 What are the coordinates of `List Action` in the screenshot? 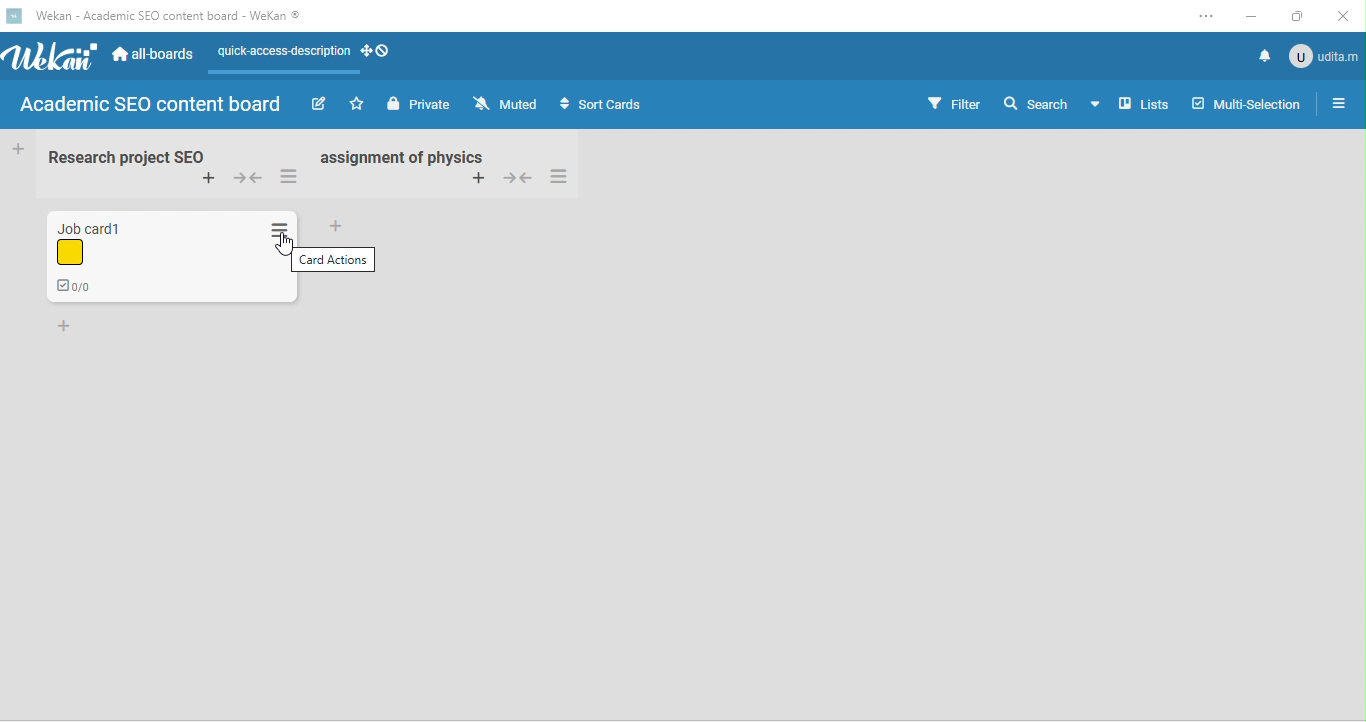 It's located at (281, 221).